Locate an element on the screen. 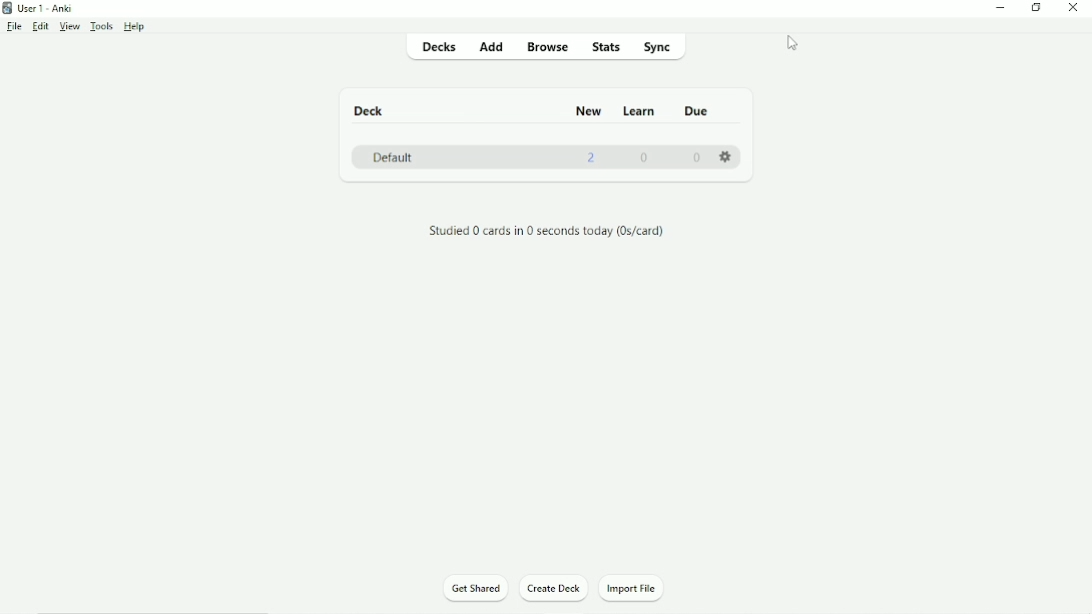 The width and height of the screenshot is (1092, 614). Close is located at coordinates (1073, 8).